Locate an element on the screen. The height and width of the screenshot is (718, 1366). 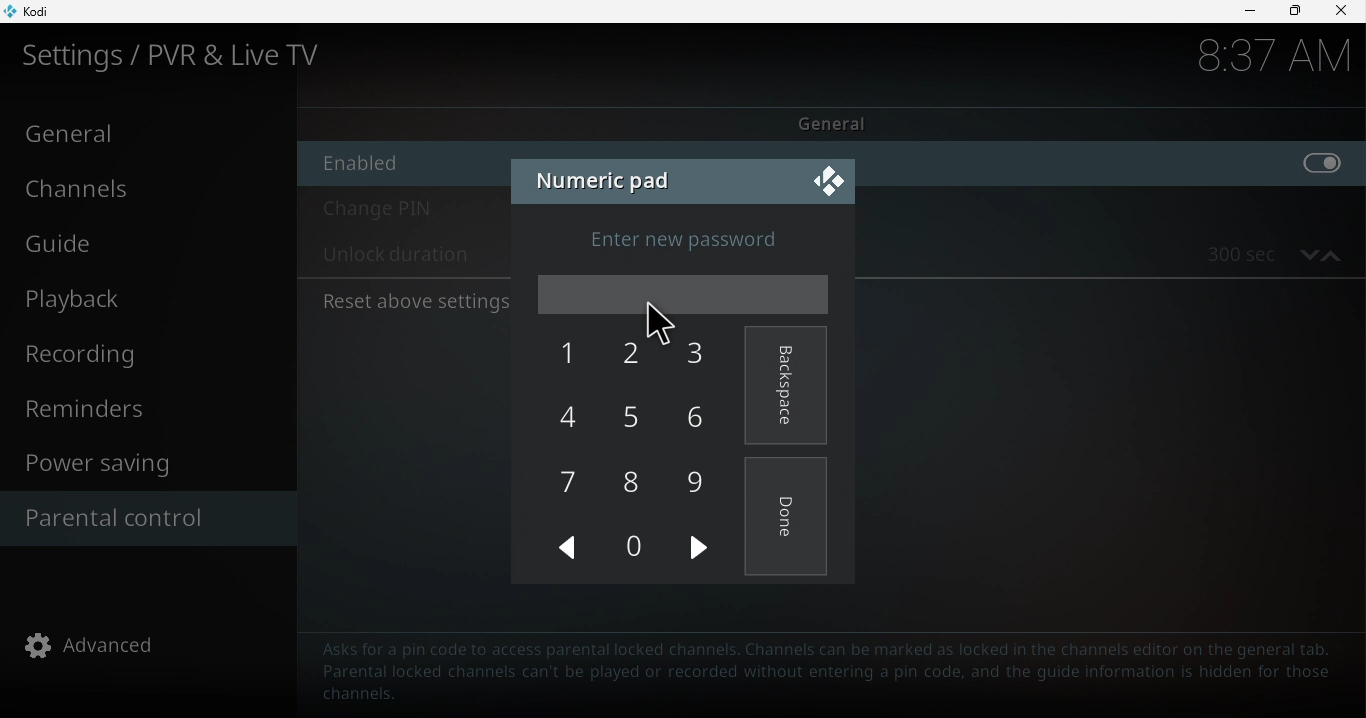
Recording is located at coordinates (144, 352).